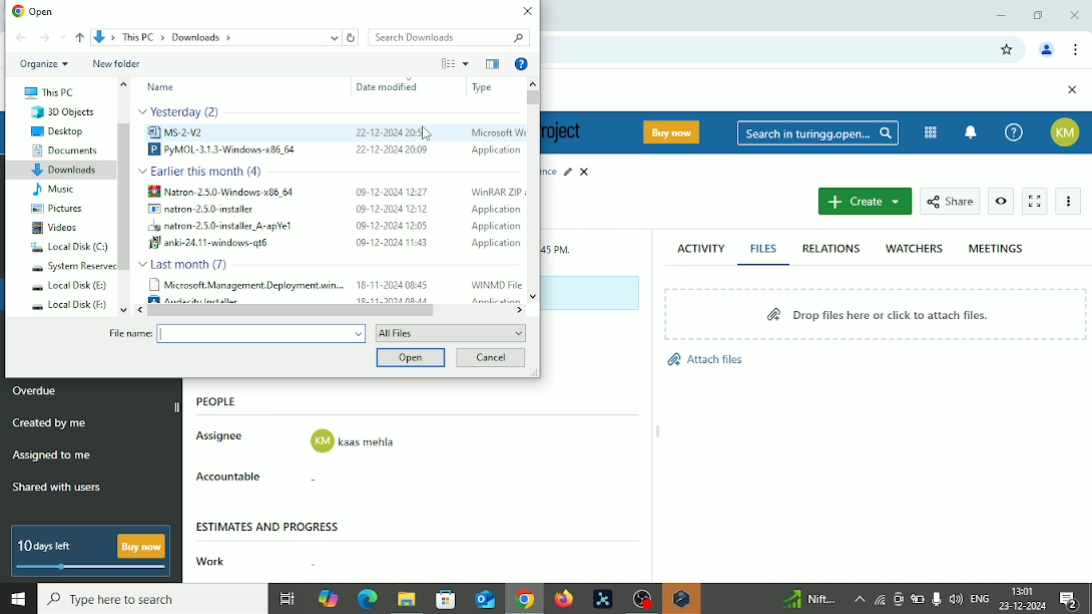  I want to click on Desktop, so click(61, 131).